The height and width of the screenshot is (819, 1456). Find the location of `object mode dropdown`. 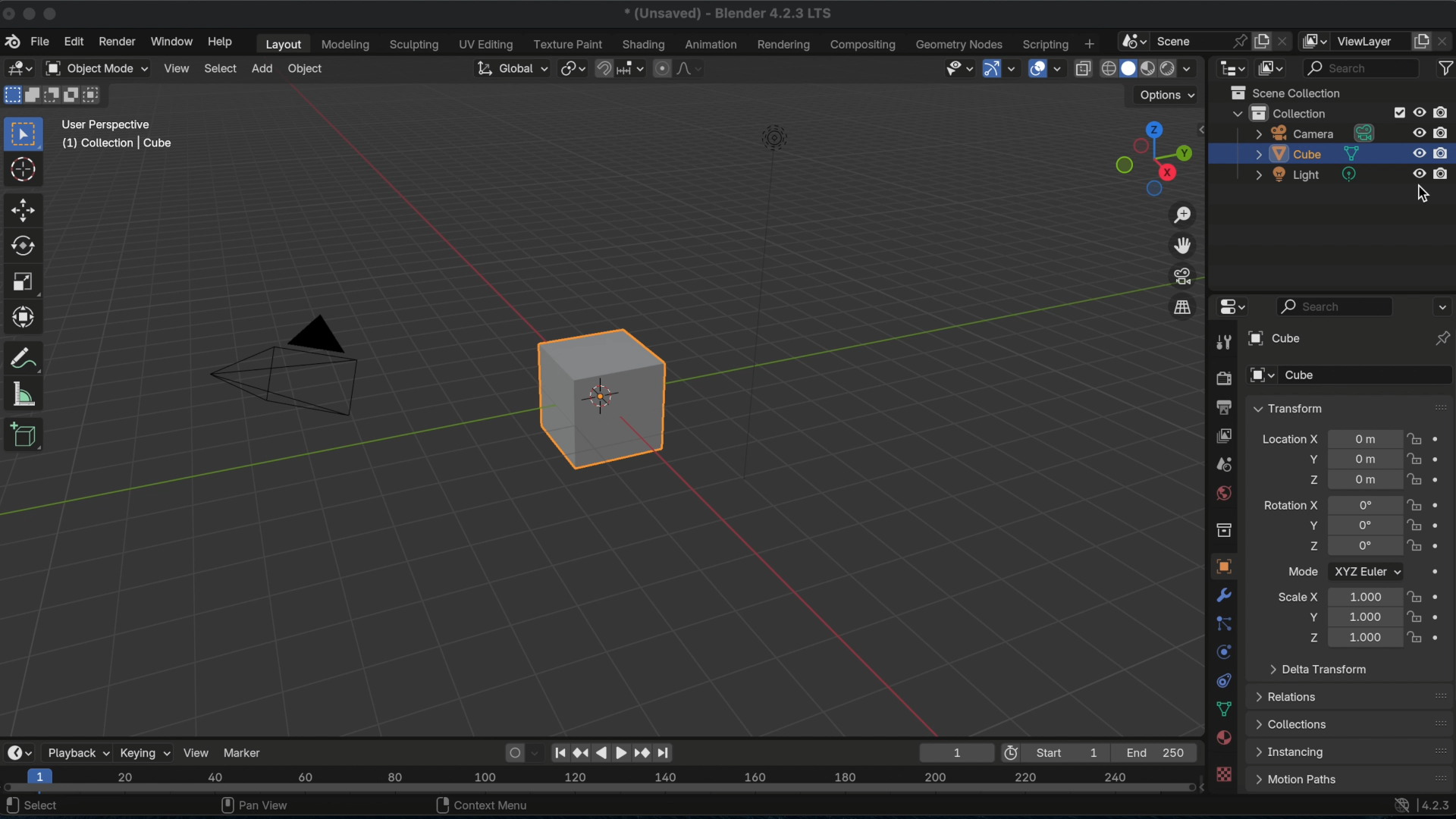

object mode dropdown is located at coordinates (99, 67).